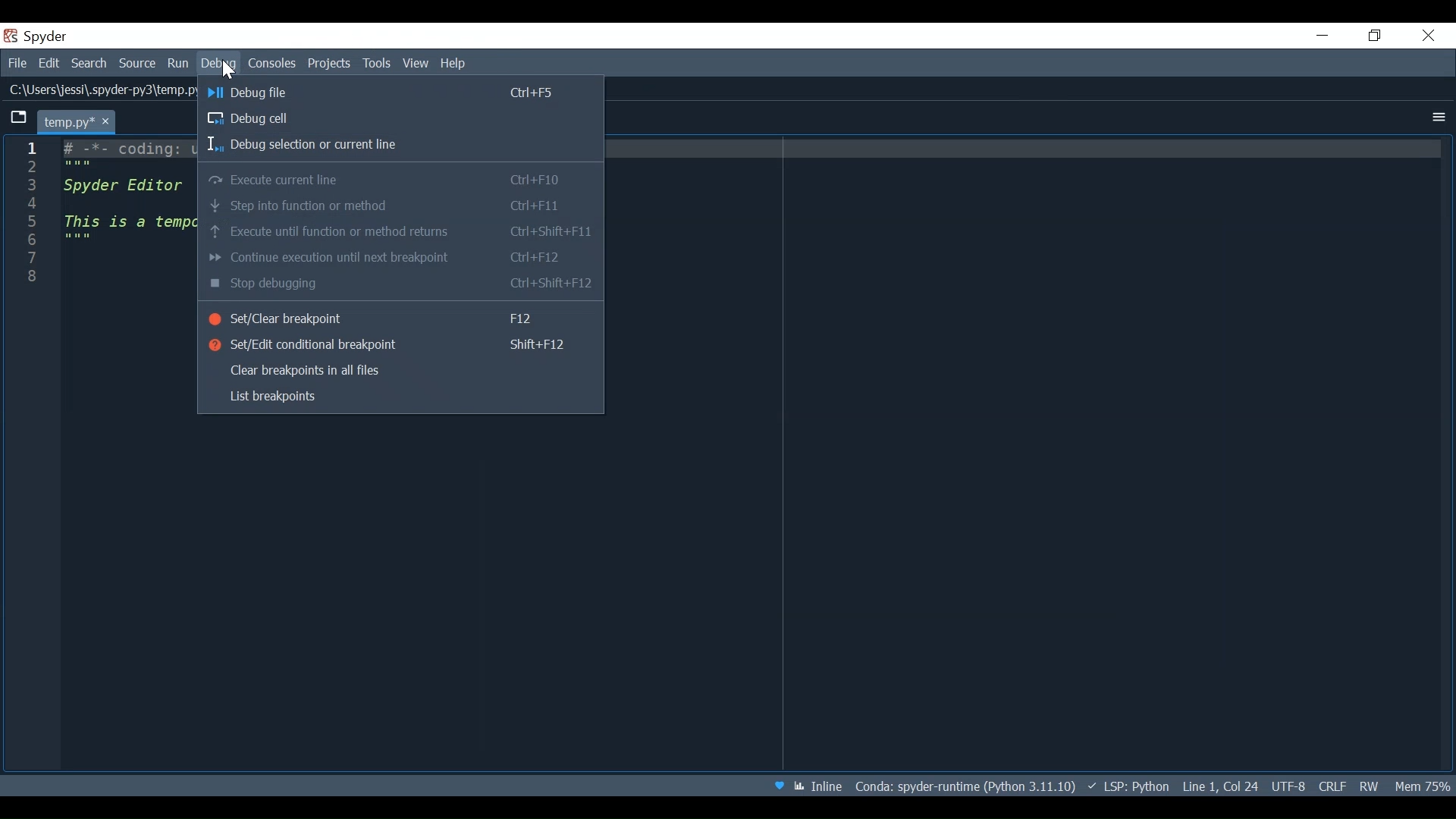 Image resolution: width=1456 pixels, height=819 pixels. I want to click on Restore, so click(1375, 36).